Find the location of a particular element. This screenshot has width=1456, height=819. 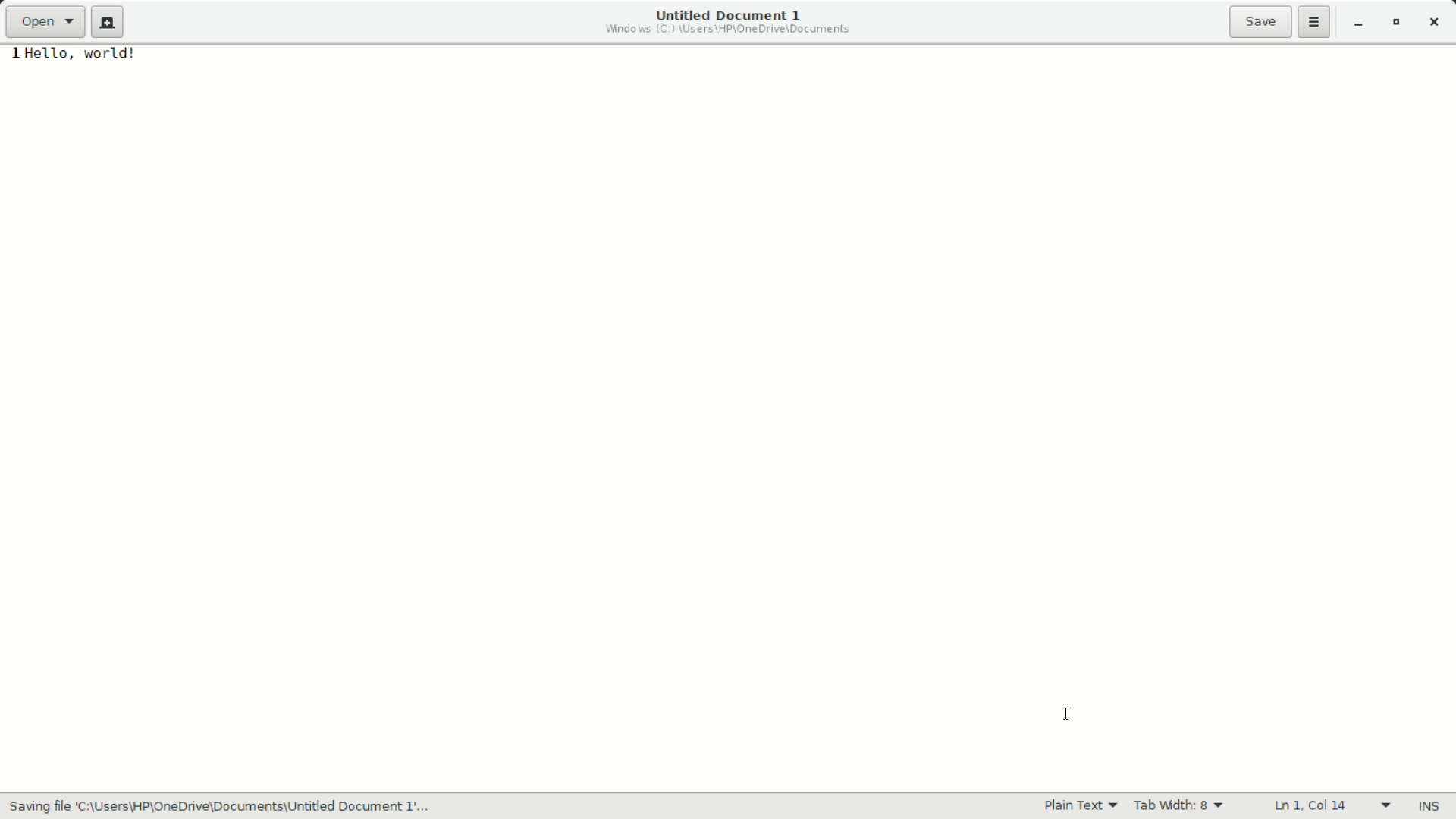

tab width is located at coordinates (1180, 807).